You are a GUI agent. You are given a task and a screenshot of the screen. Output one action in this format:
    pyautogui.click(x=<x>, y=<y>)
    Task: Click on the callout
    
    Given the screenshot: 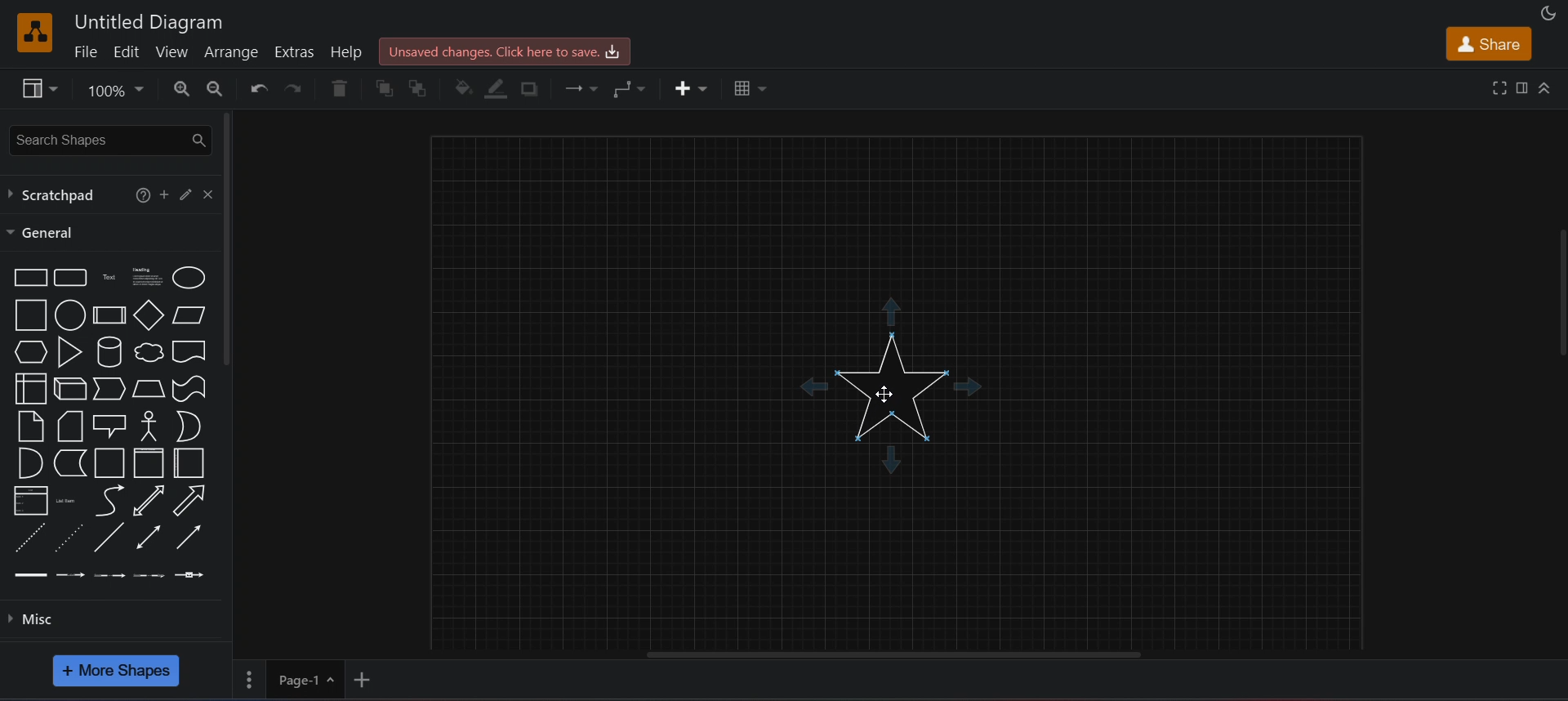 What is the action you would take?
    pyautogui.click(x=109, y=426)
    